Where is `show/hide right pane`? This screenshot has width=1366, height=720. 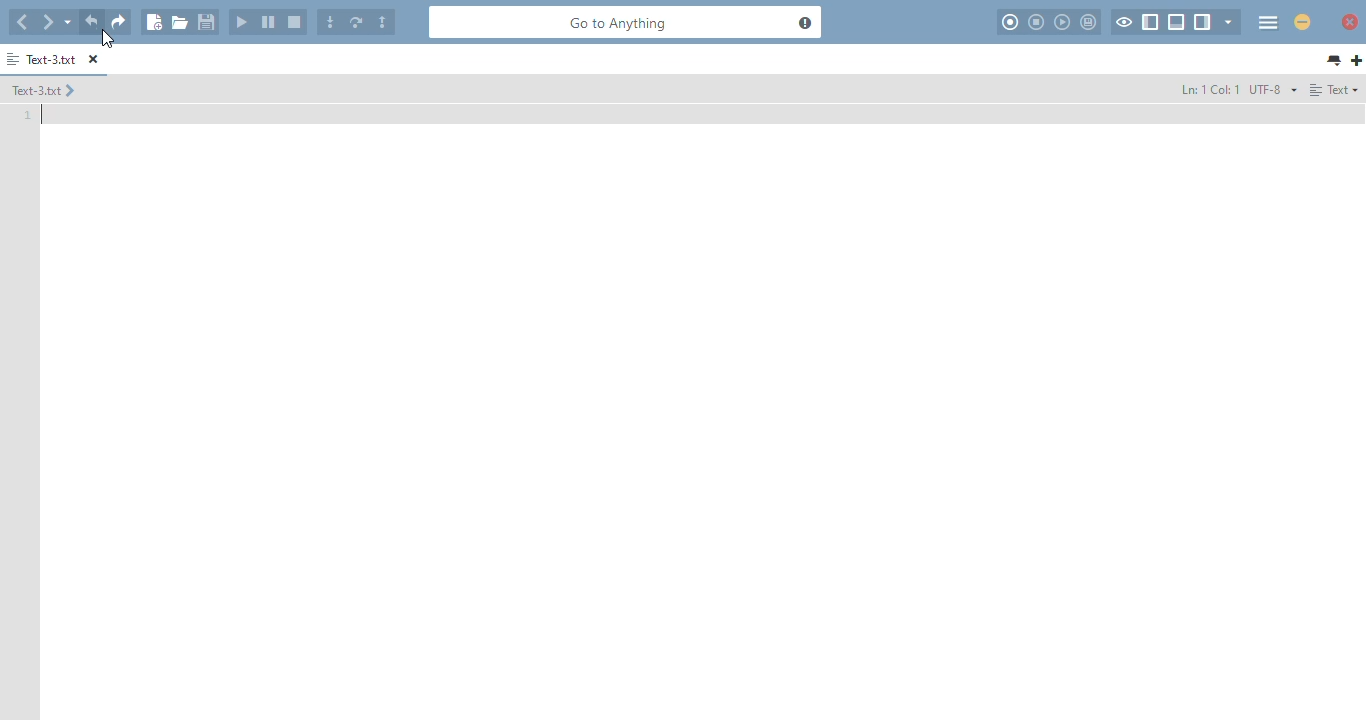 show/hide right pane is located at coordinates (1203, 22).